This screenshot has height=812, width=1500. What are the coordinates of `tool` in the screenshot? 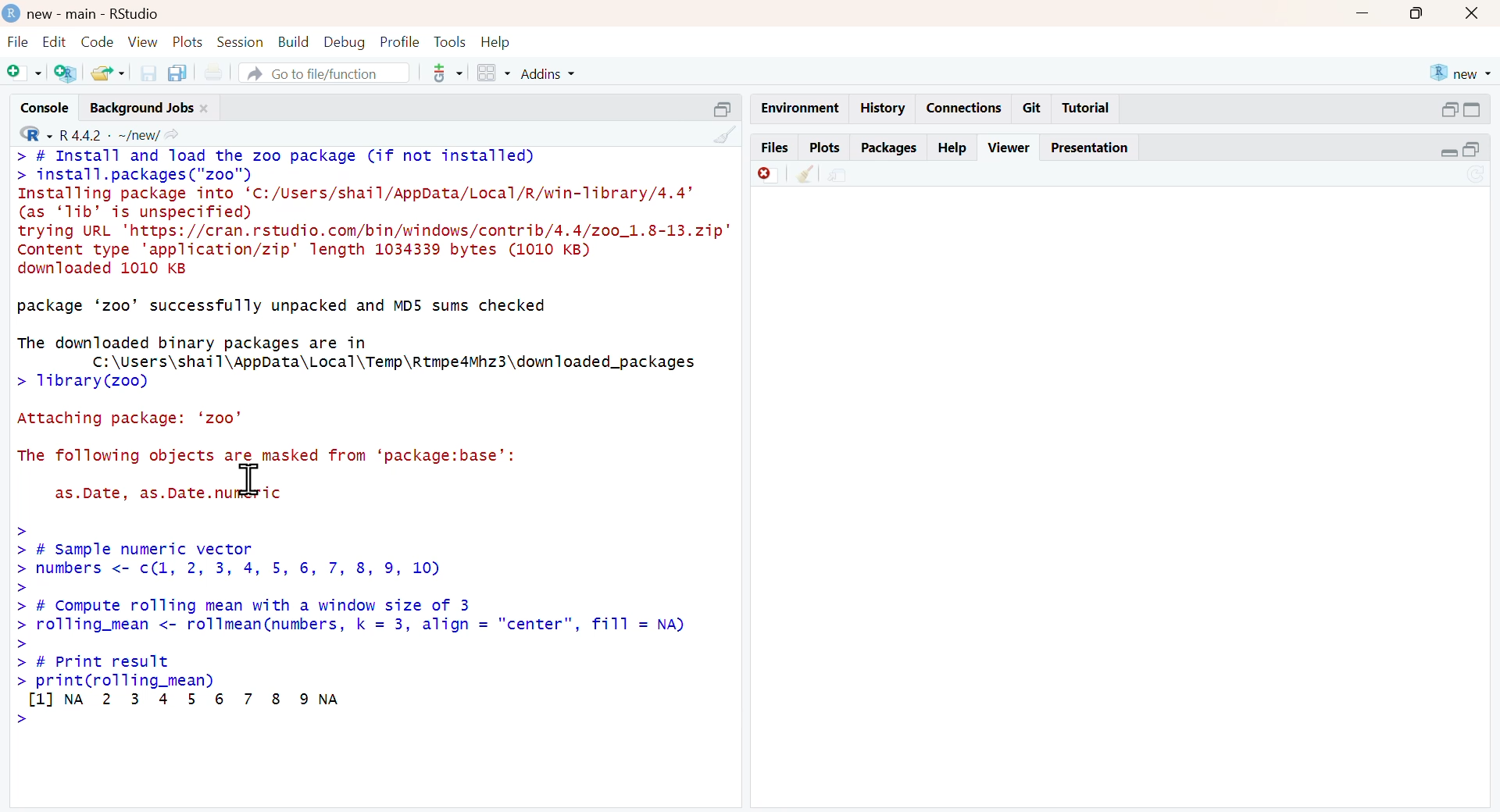 It's located at (448, 73).